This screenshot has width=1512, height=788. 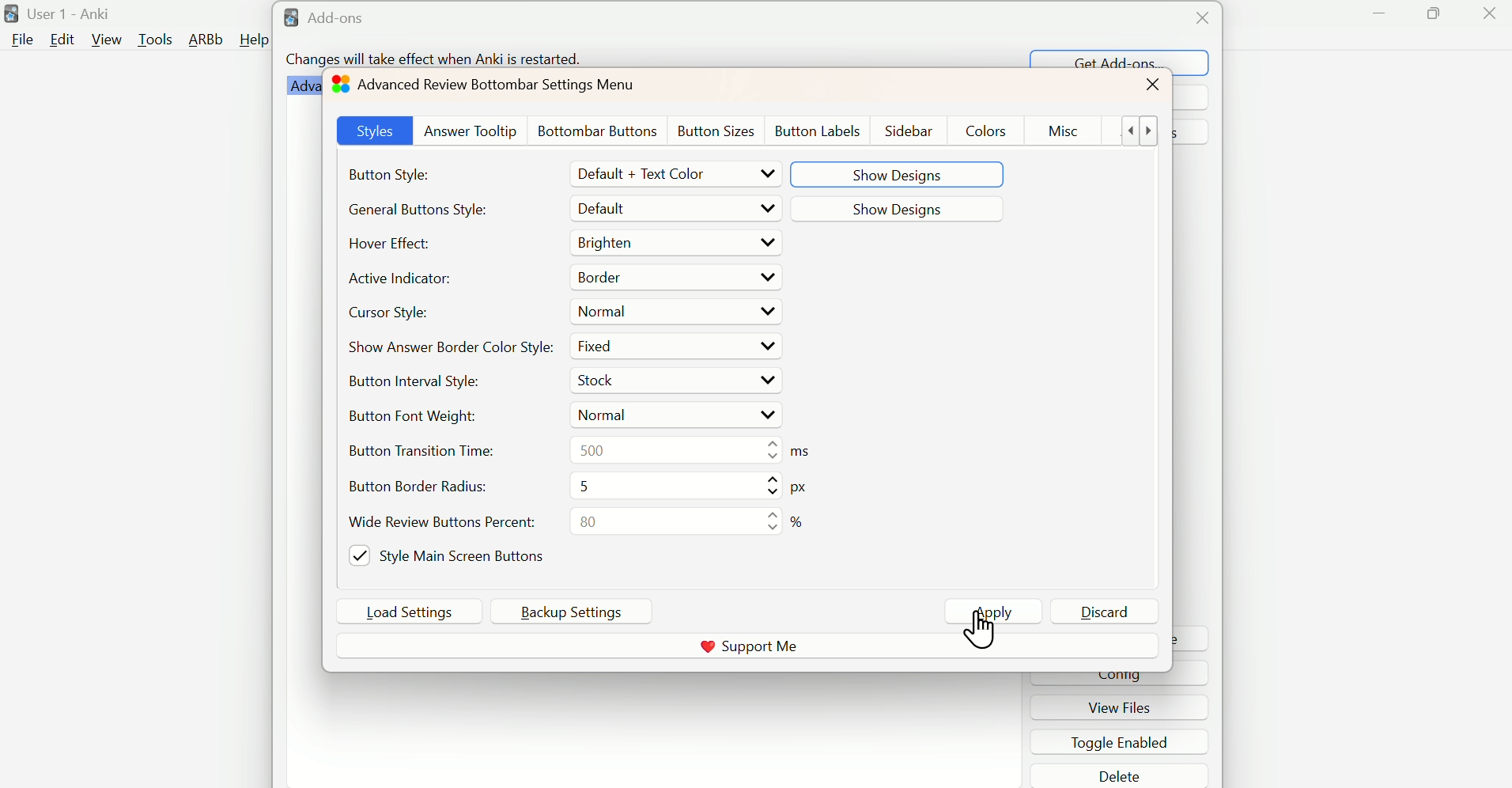 I want to click on Close, so click(x=1211, y=19).